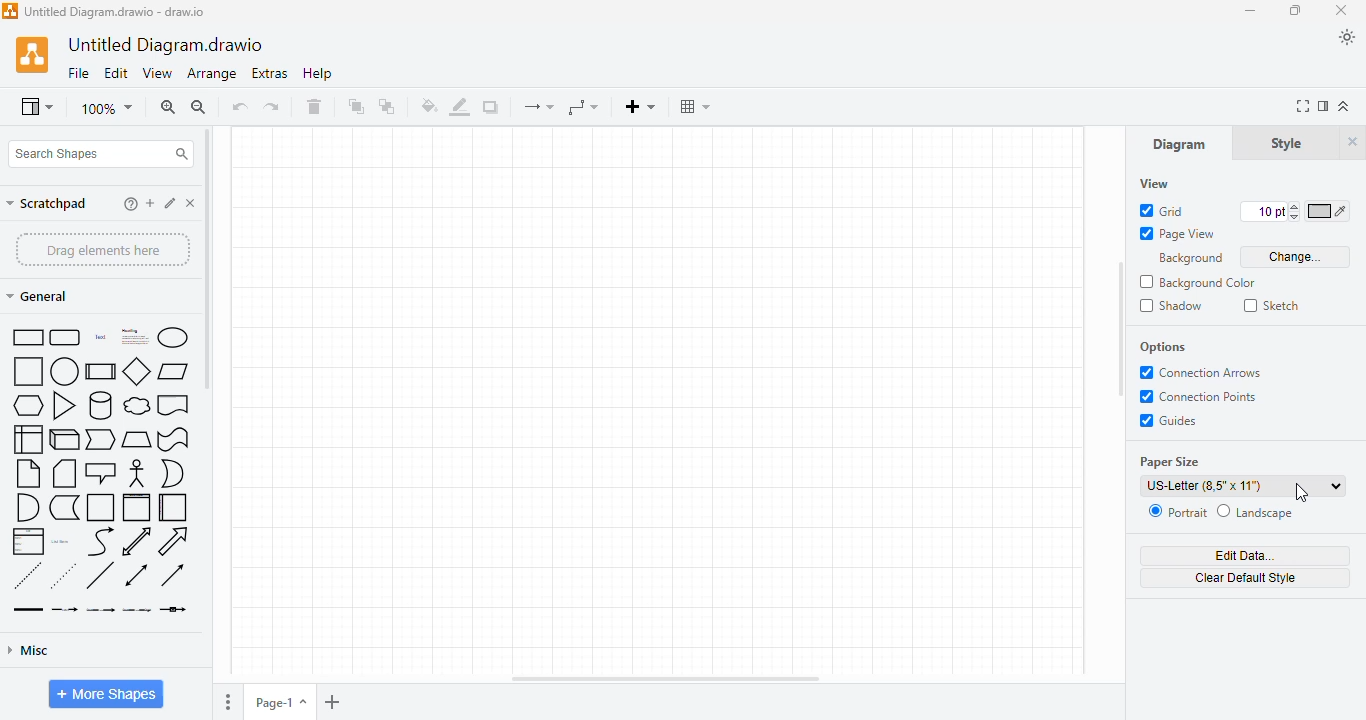  I want to click on diagram, so click(1179, 145).